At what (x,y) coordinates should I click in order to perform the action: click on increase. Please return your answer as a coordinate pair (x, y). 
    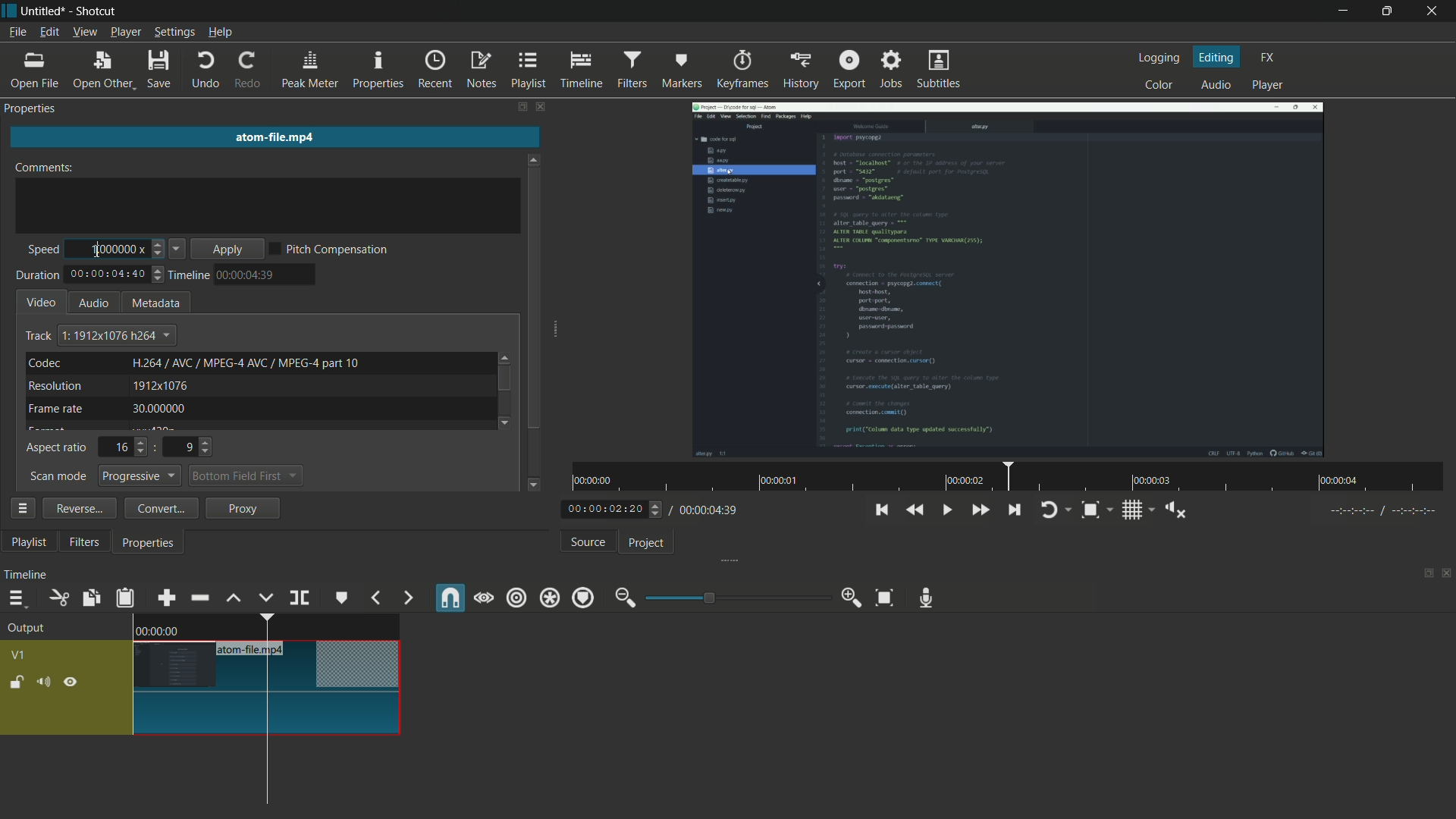
    Looking at the image, I should click on (160, 243).